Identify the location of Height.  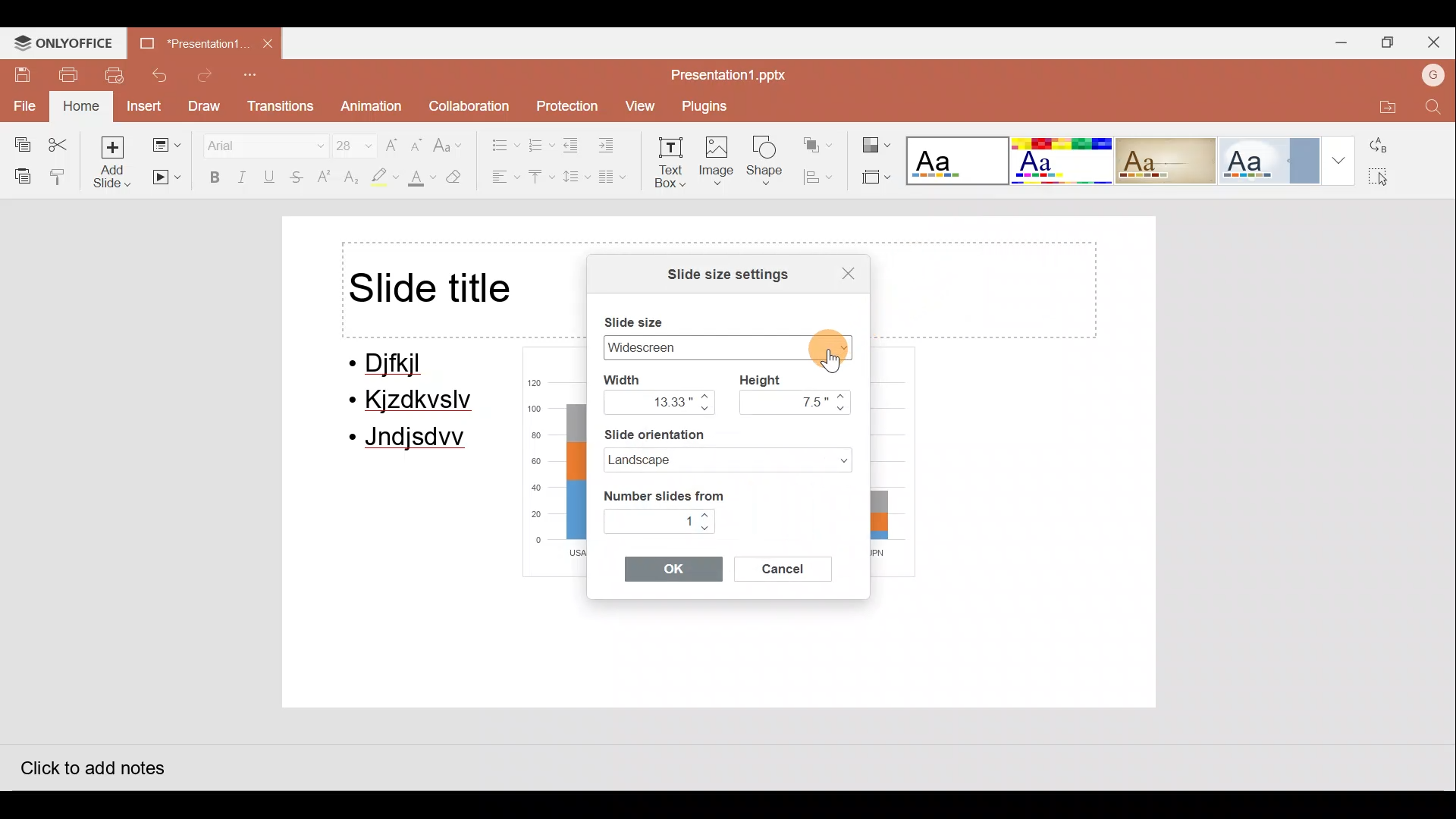
(767, 378).